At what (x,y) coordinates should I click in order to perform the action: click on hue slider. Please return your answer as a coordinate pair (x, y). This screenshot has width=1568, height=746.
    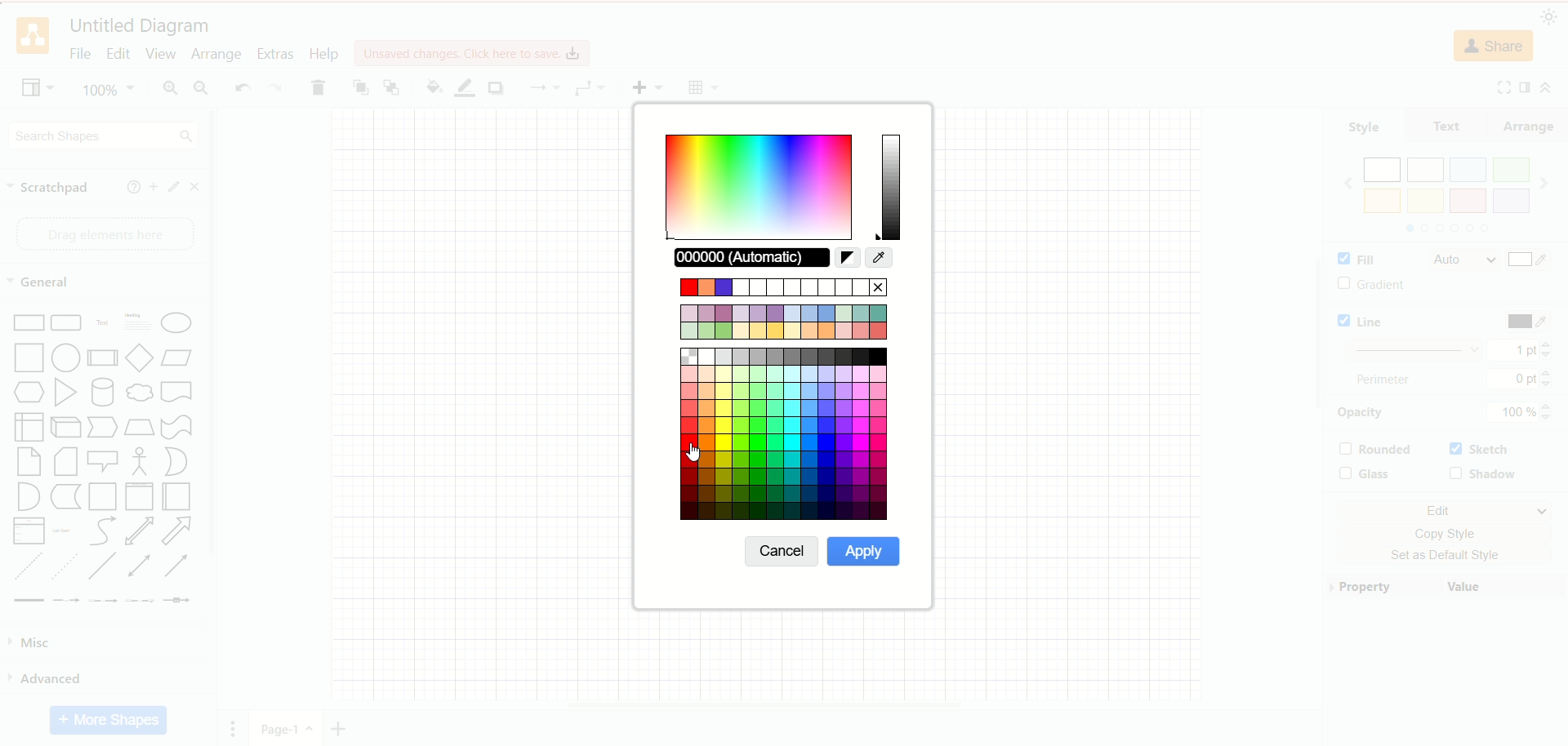
    Looking at the image, I should click on (893, 185).